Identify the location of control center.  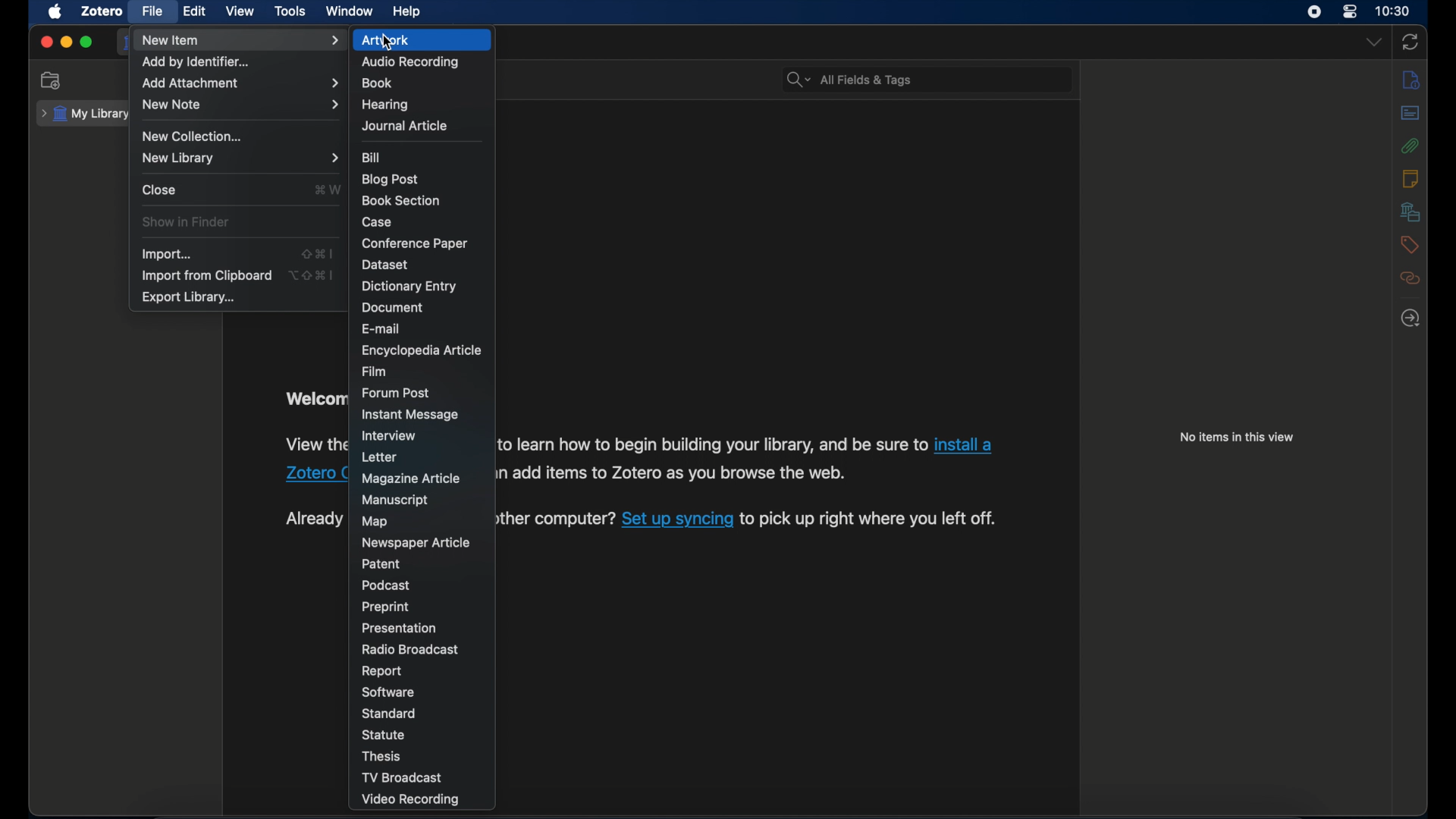
(1350, 12).